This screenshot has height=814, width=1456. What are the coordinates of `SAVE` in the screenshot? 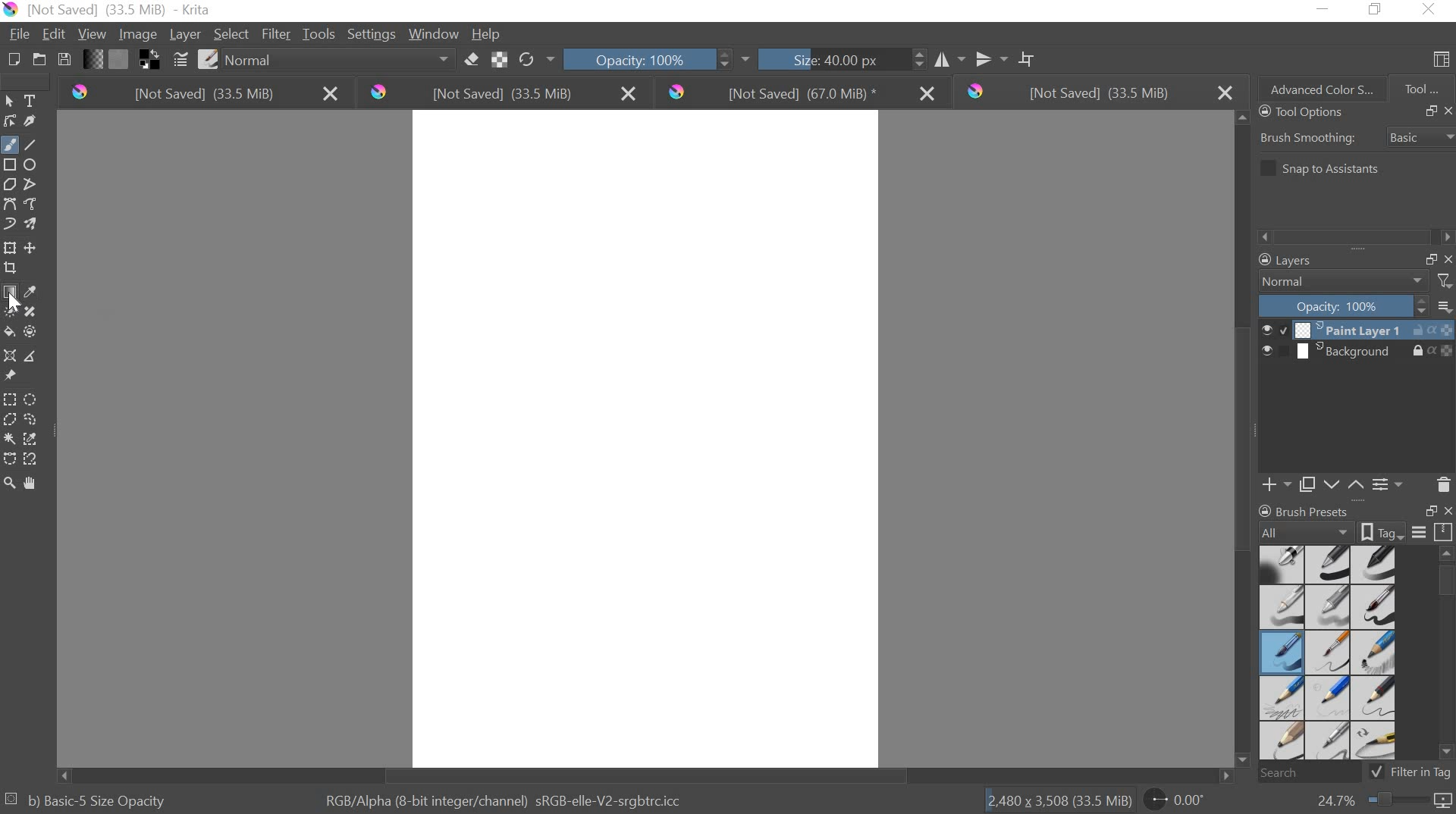 It's located at (64, 58).